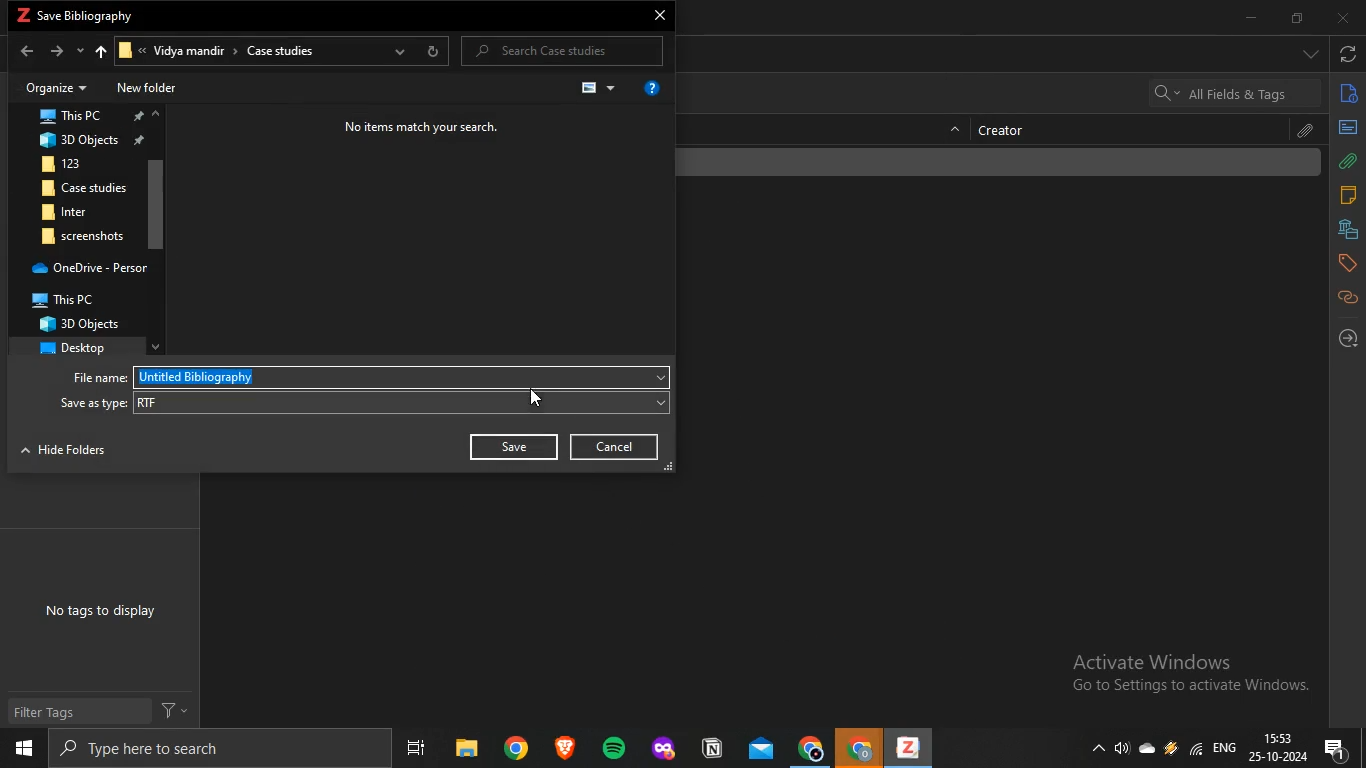 This screenshot has height=768, width=1366. What do you see at coordinates (1347, 338) in the screenshot?
I see `locate` at bounding box center [1347, 338].